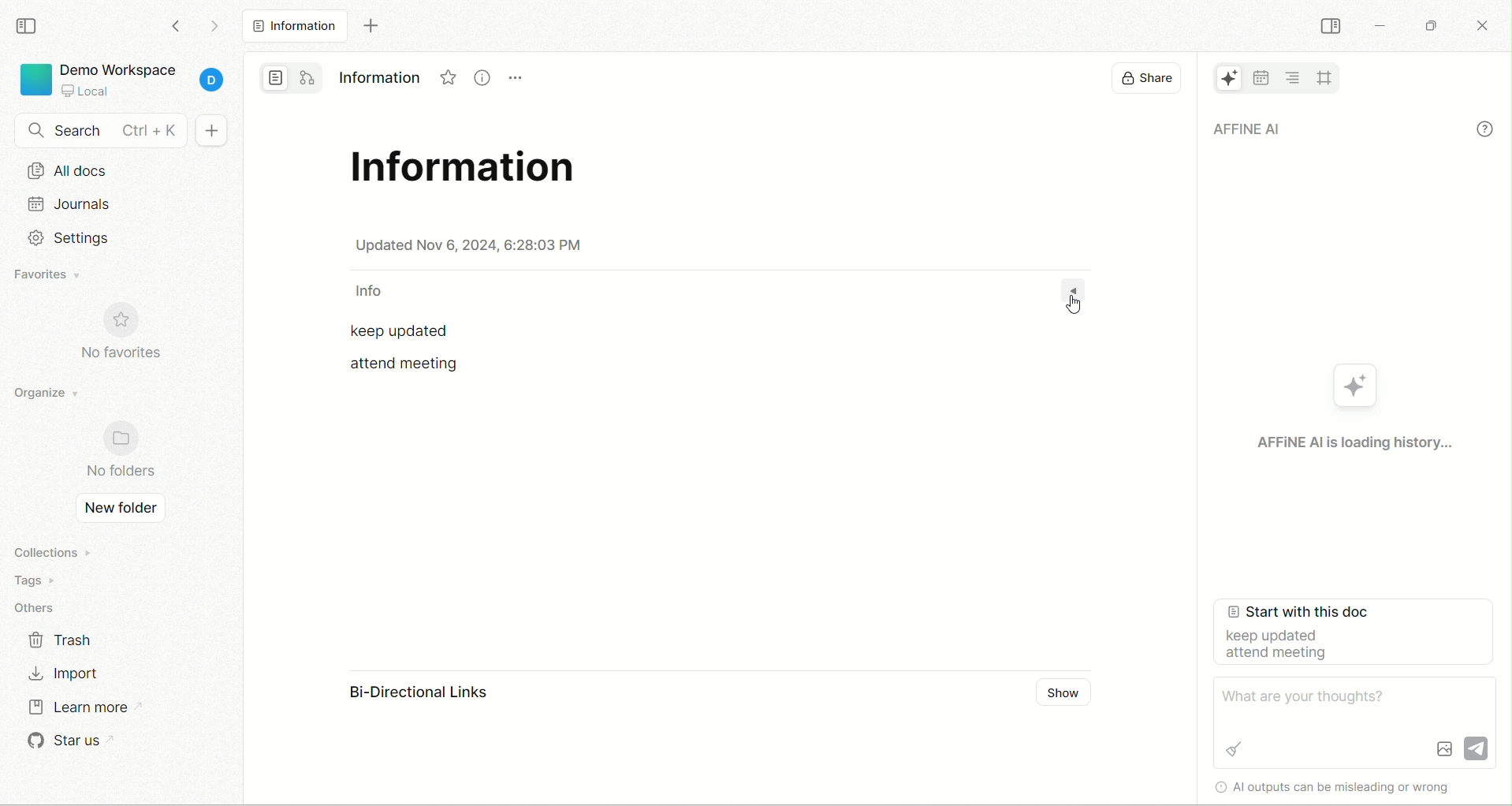 The width and height of the screenshot is (1512, 806). Describe the element at coordinates (376, 78) in the screenshot. I see `Information` at that location.